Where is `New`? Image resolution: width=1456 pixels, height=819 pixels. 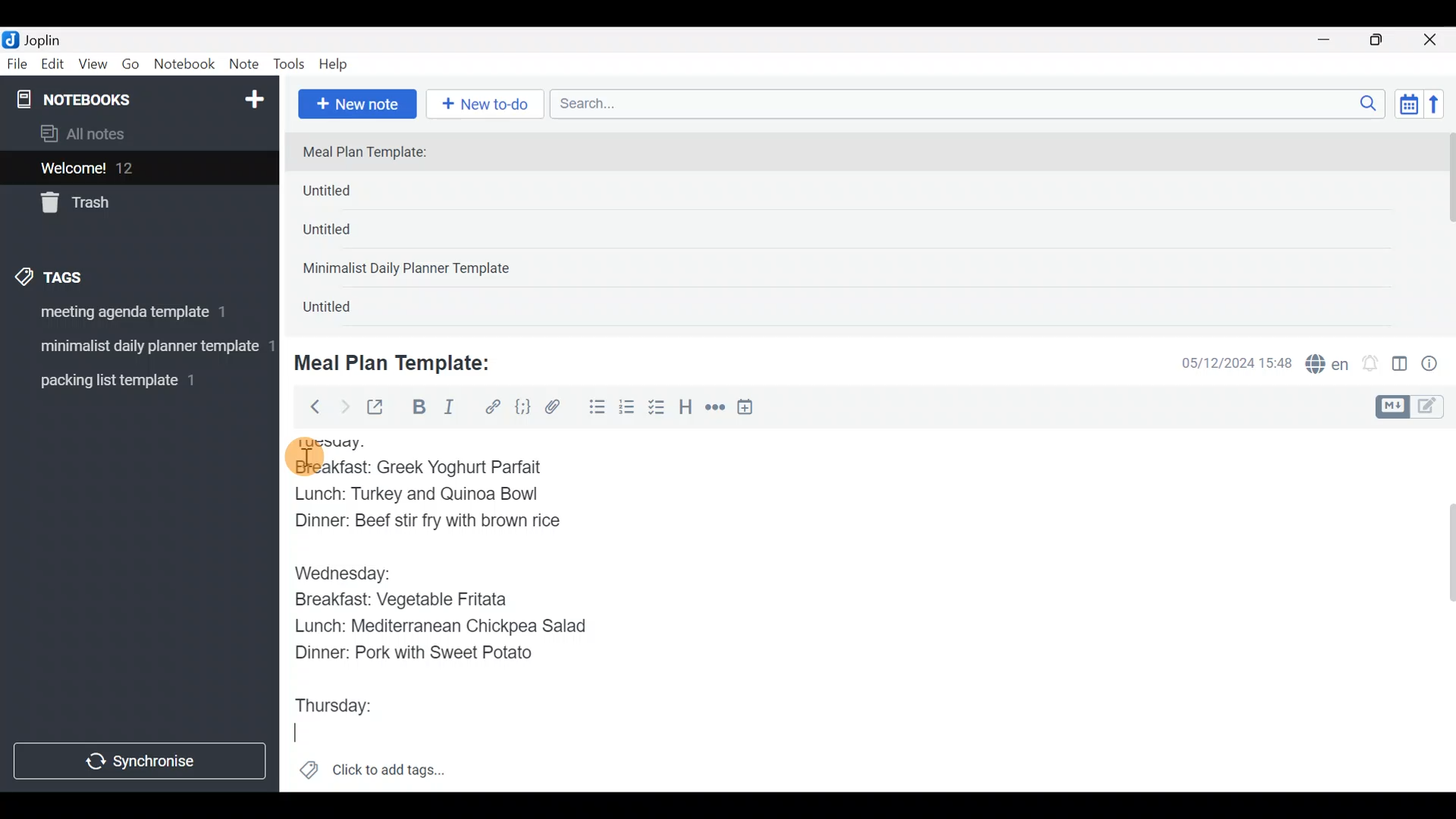 New is located at coordinates (253, 96).